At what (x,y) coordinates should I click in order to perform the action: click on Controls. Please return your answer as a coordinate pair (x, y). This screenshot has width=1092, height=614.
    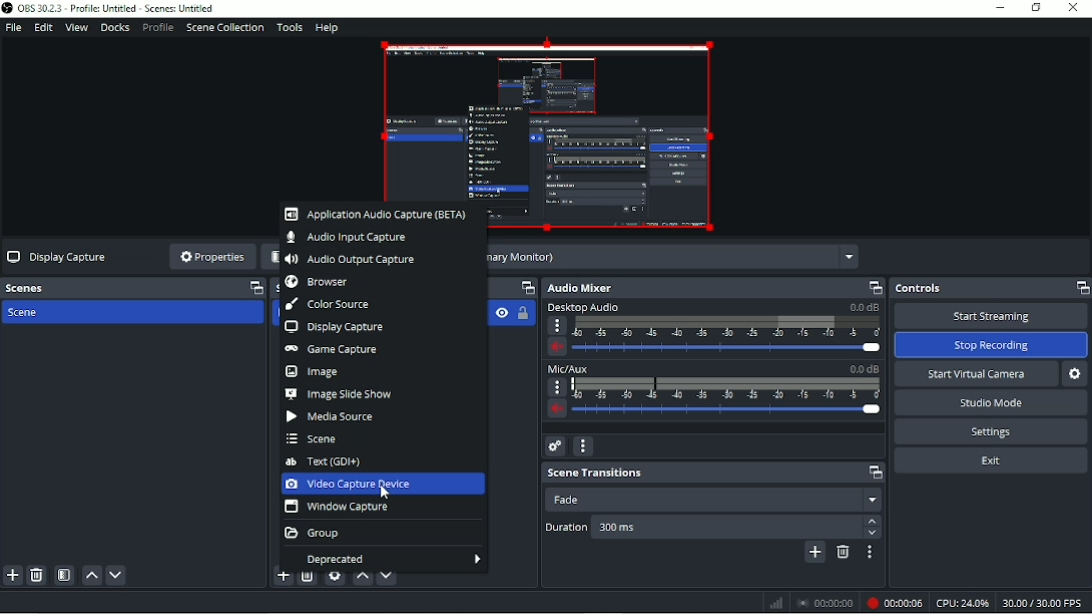
    Looking at the image, I should click on (990, 286).